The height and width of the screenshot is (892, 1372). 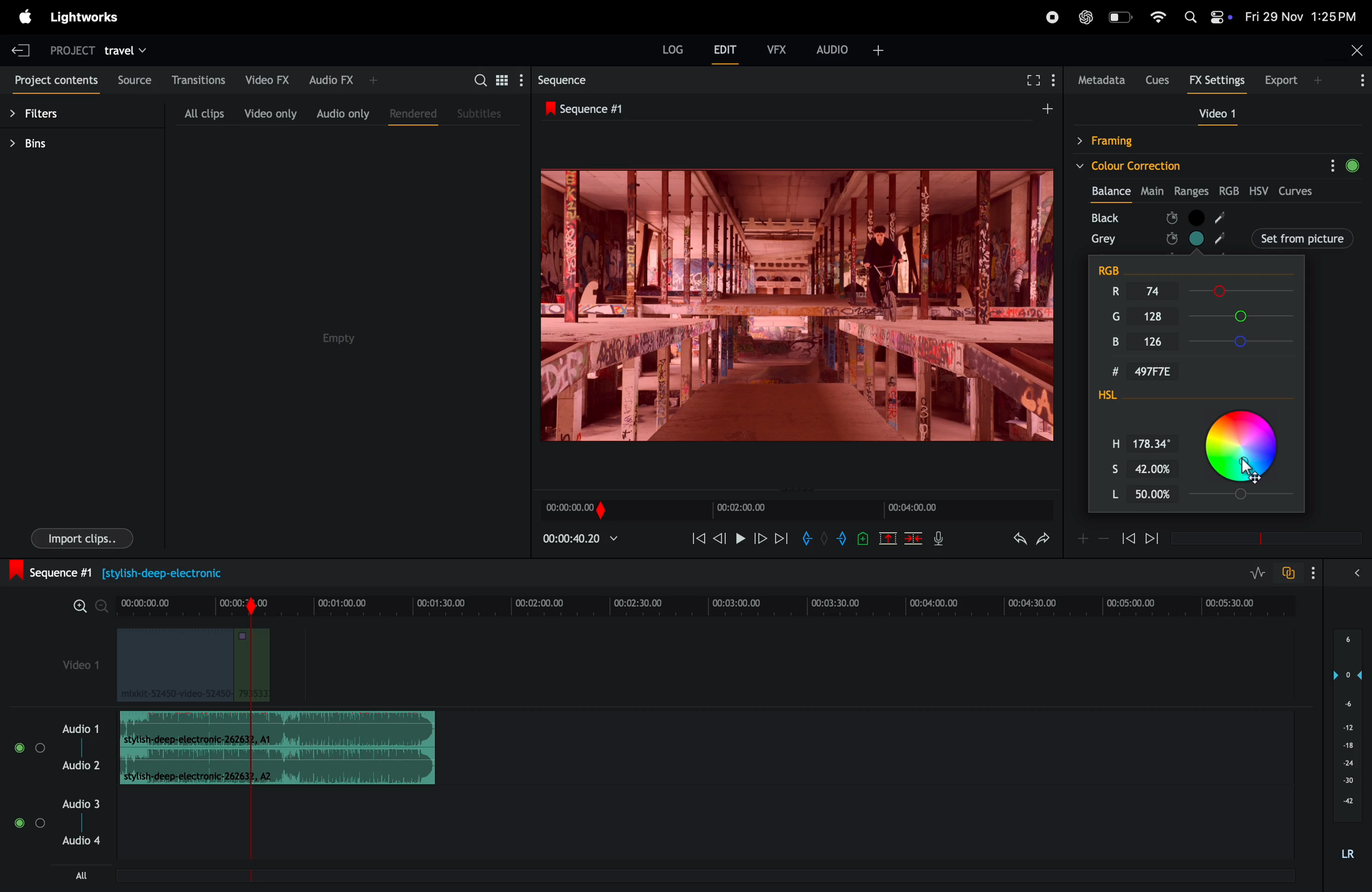 I want to click on rendered, so click(x=413, y=115).